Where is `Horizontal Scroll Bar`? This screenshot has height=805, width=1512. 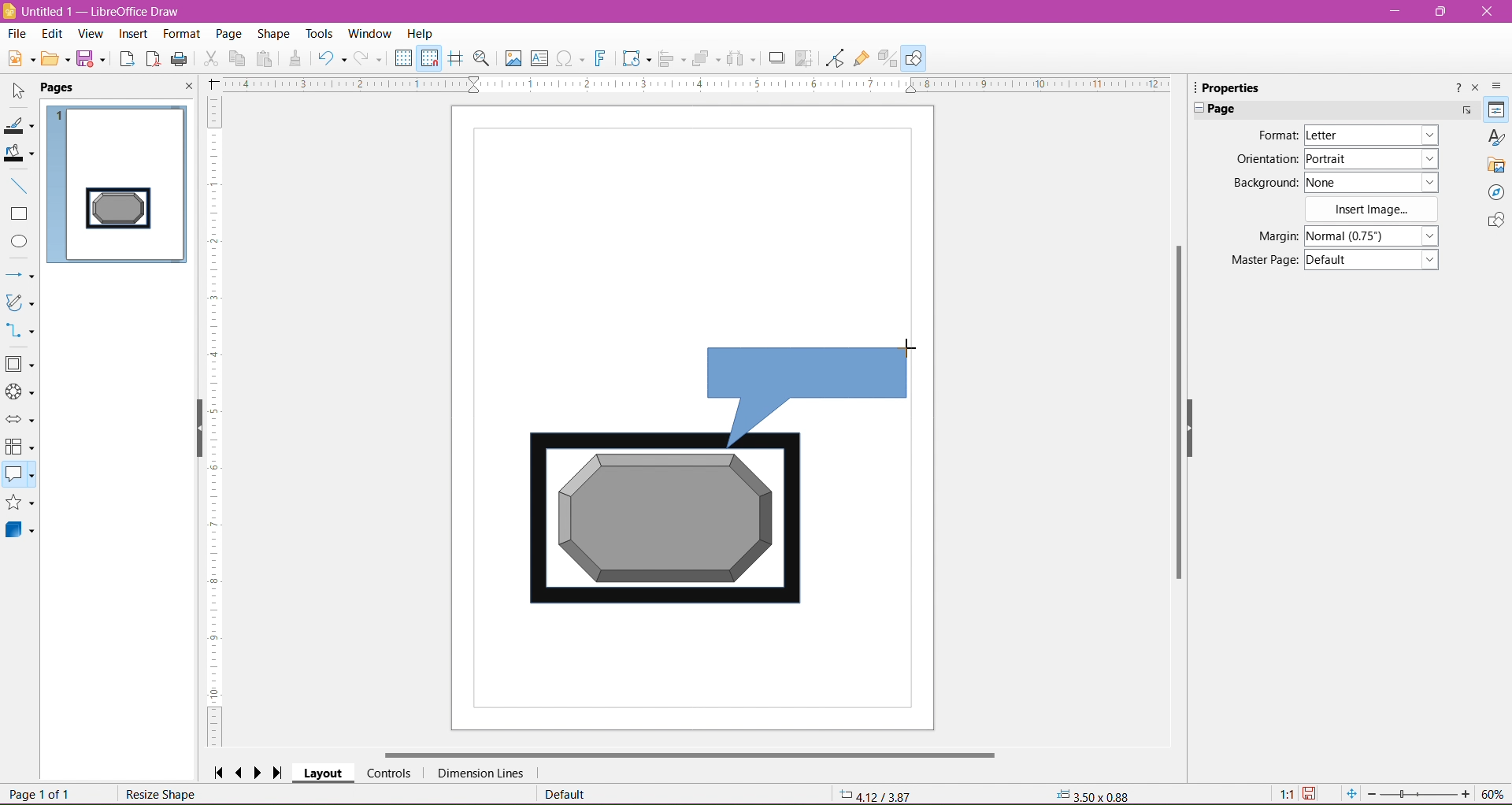 Horizontal Scroll Bar is located at coordinates (690, 753).